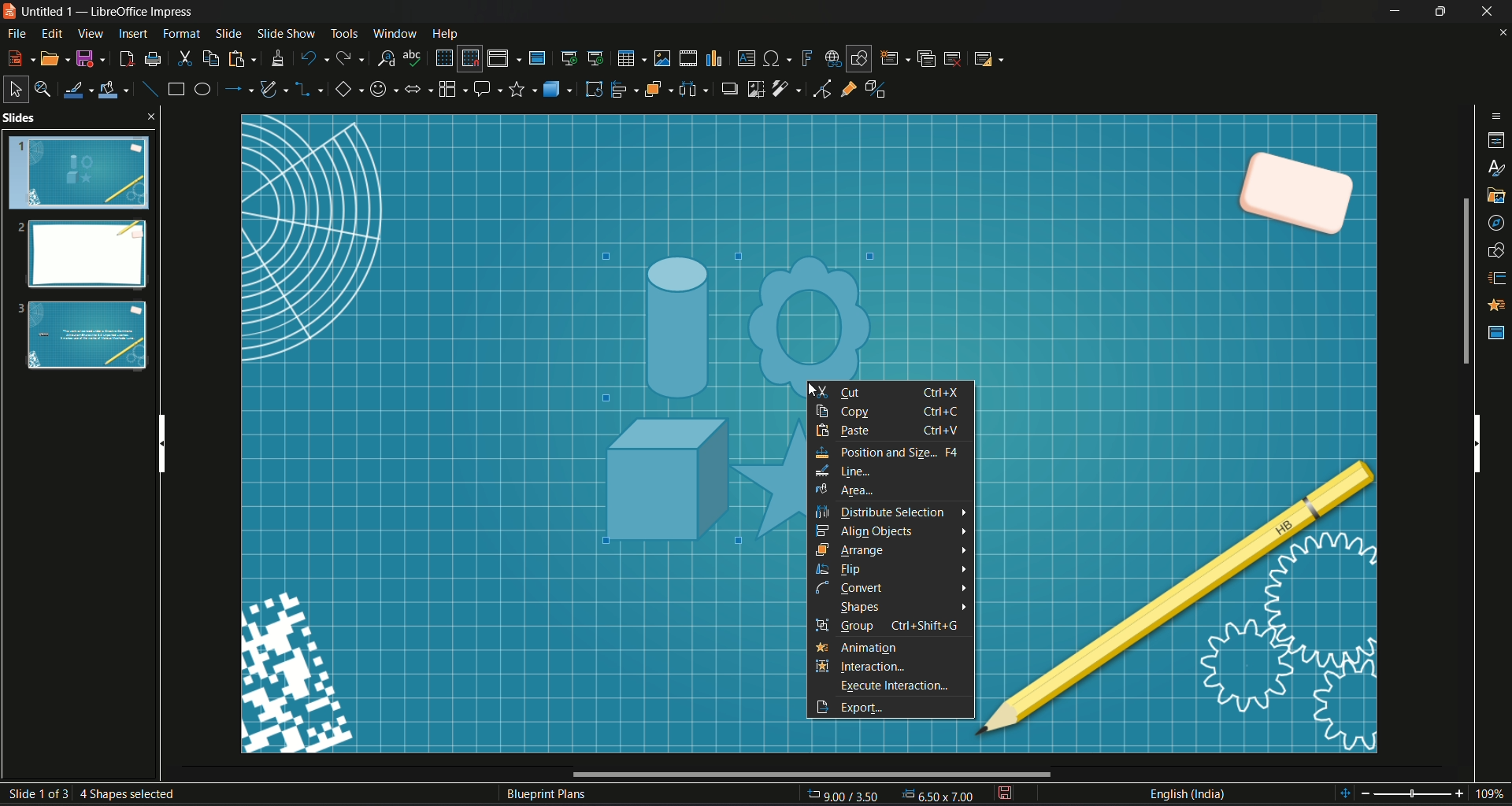 The image size is (1512, 806). What do you see at coordinates (963, 560) in the screenshot?
I see `arrows` at bounding box center [963, 560].